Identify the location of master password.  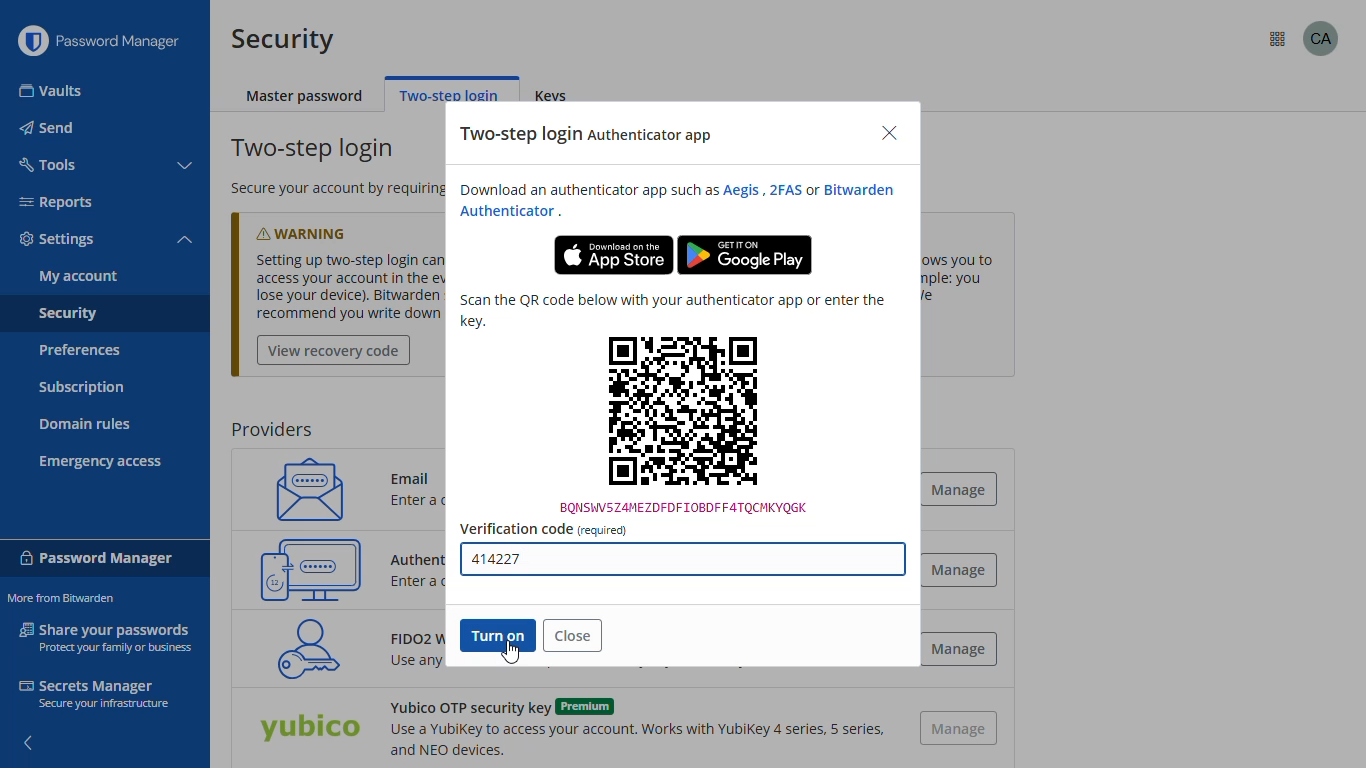
(306, 97).